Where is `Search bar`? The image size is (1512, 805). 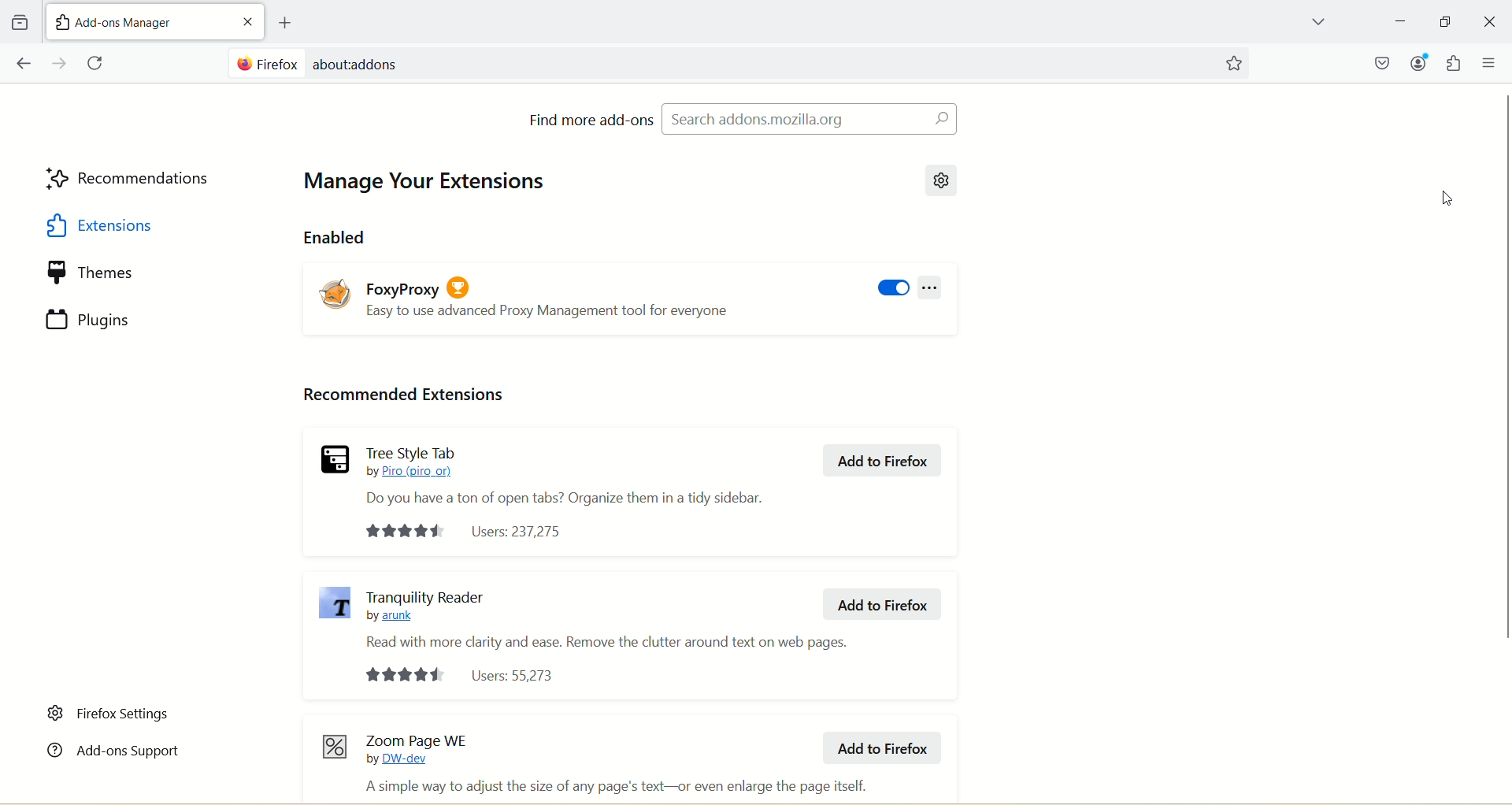
Search bar is located at coordinates (718, 61).